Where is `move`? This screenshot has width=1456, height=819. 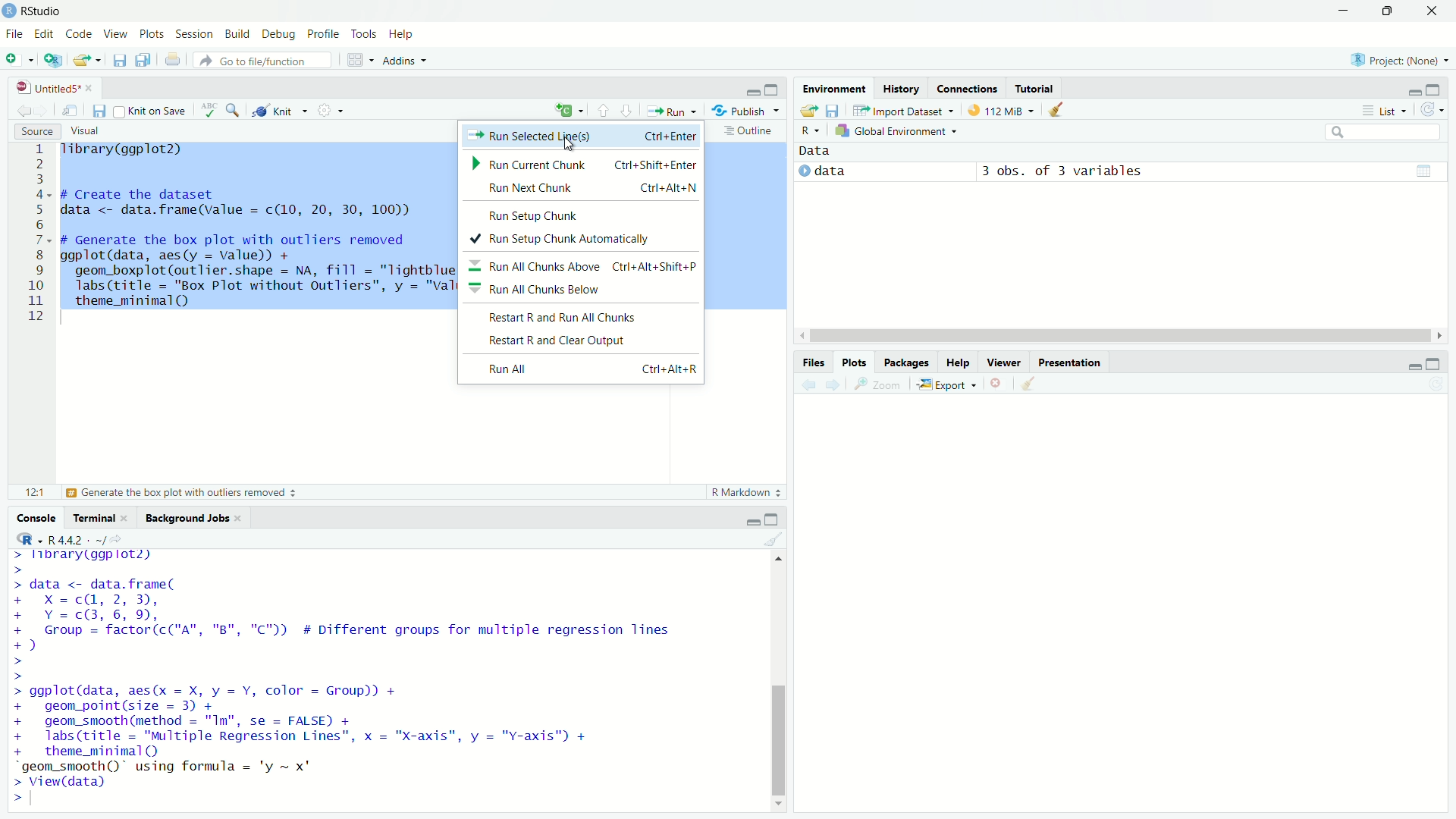 move is located at coordinates (71, 111).